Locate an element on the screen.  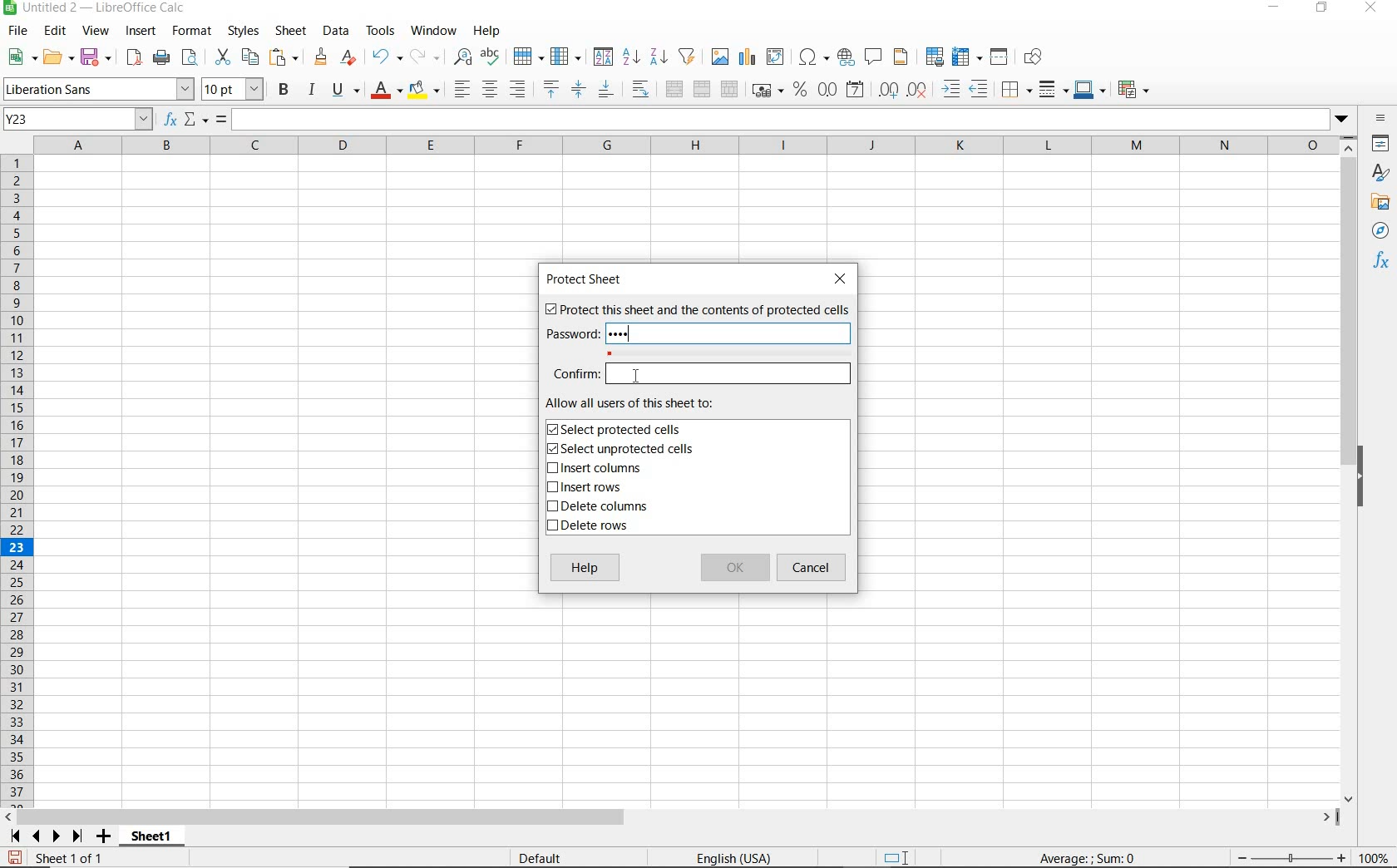
HIDE is located at coordinates (1370, 474).